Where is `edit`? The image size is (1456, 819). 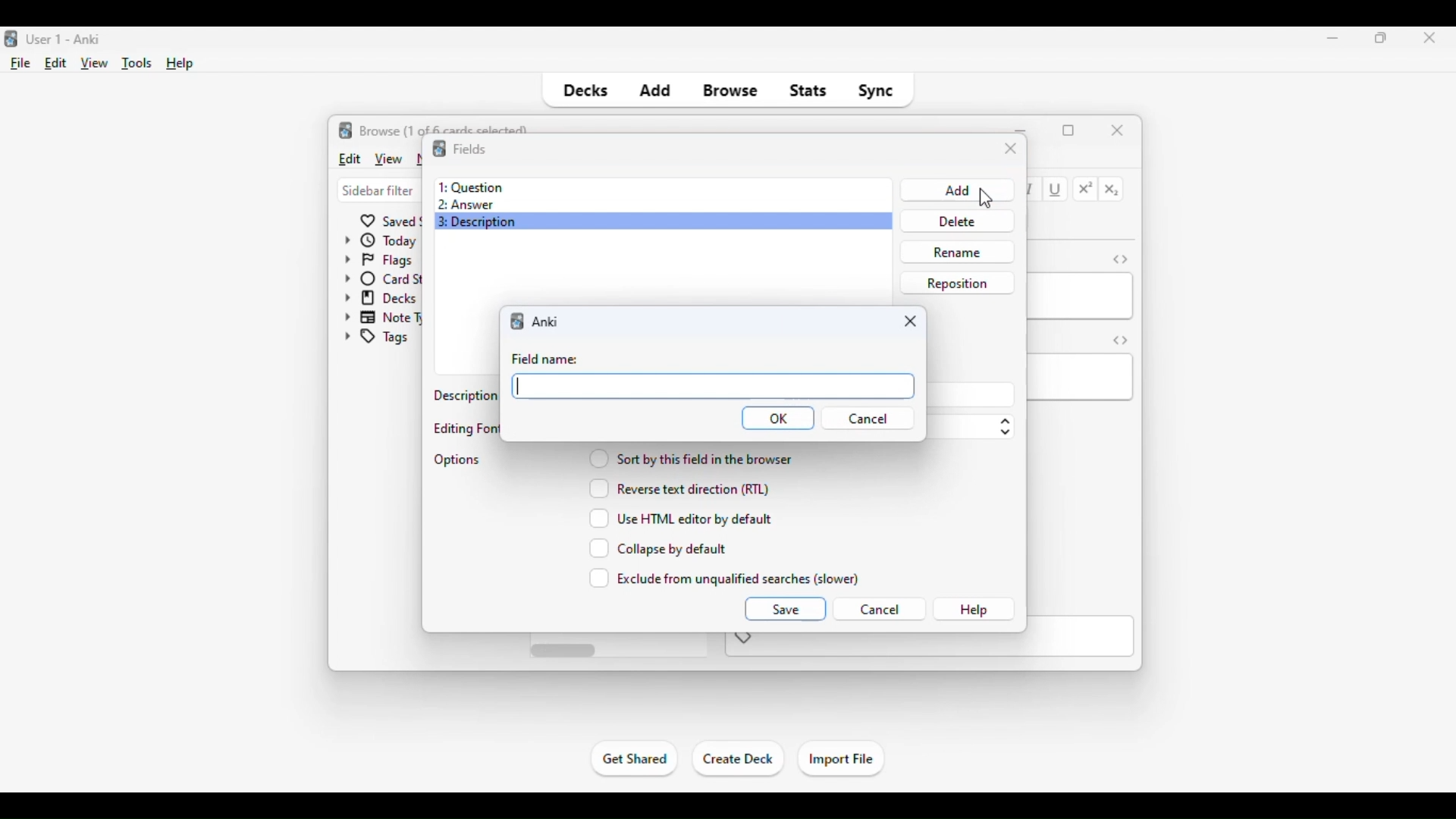 edit is located at coordinates (349, 158).